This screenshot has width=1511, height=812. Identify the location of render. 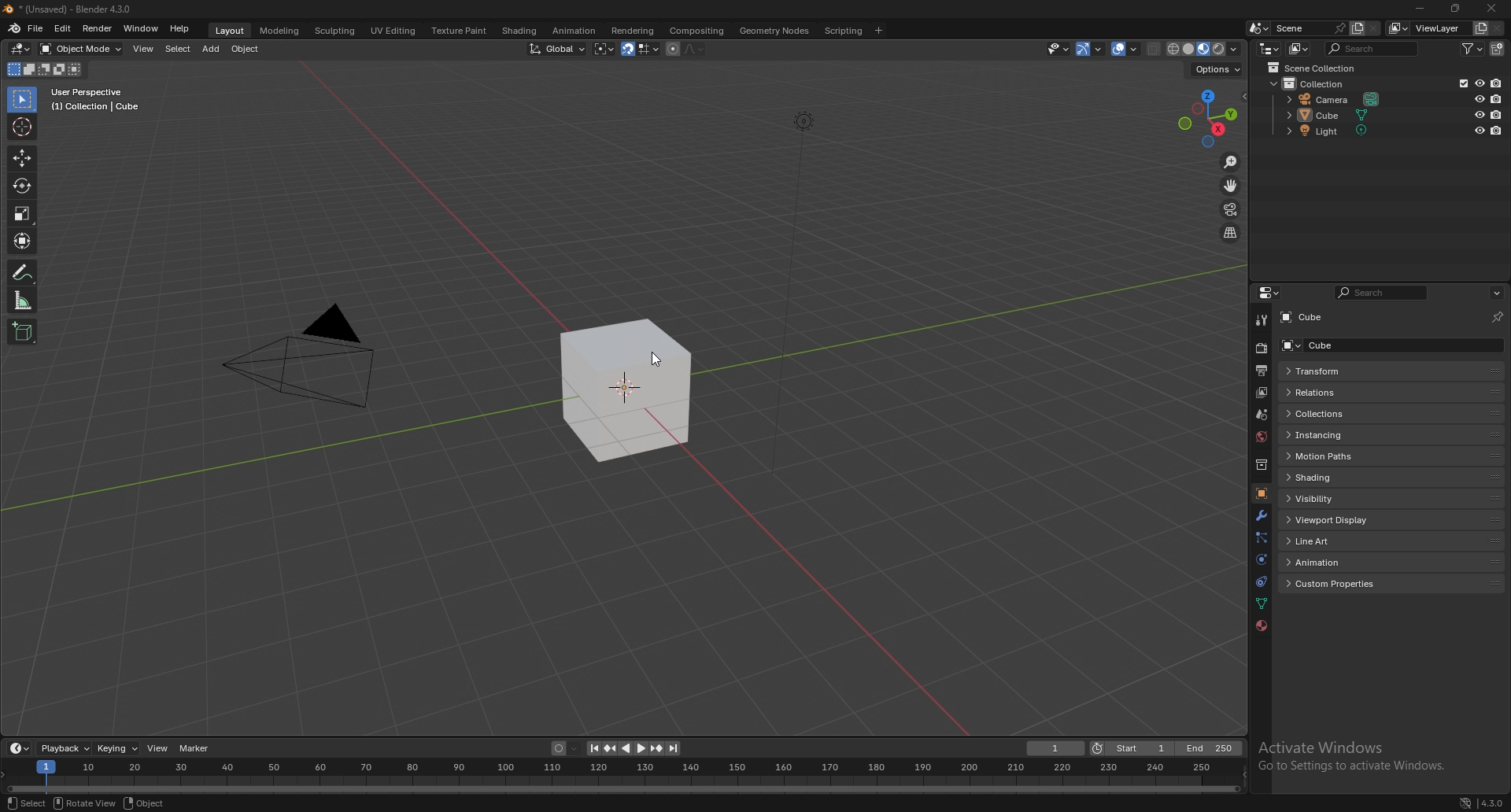
(98, 28).